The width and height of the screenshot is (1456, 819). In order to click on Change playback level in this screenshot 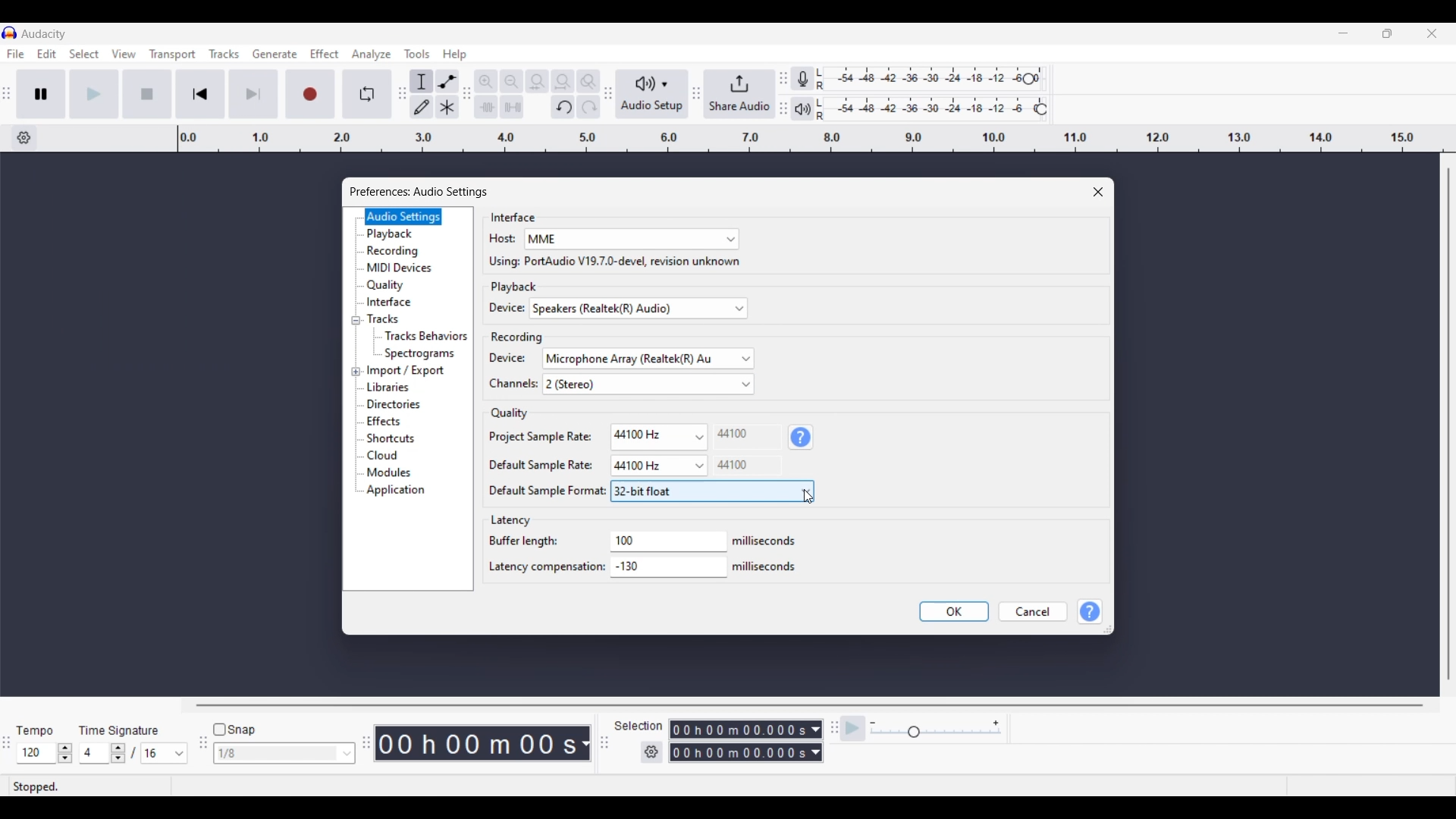, I will do `click(1041, 110)`.